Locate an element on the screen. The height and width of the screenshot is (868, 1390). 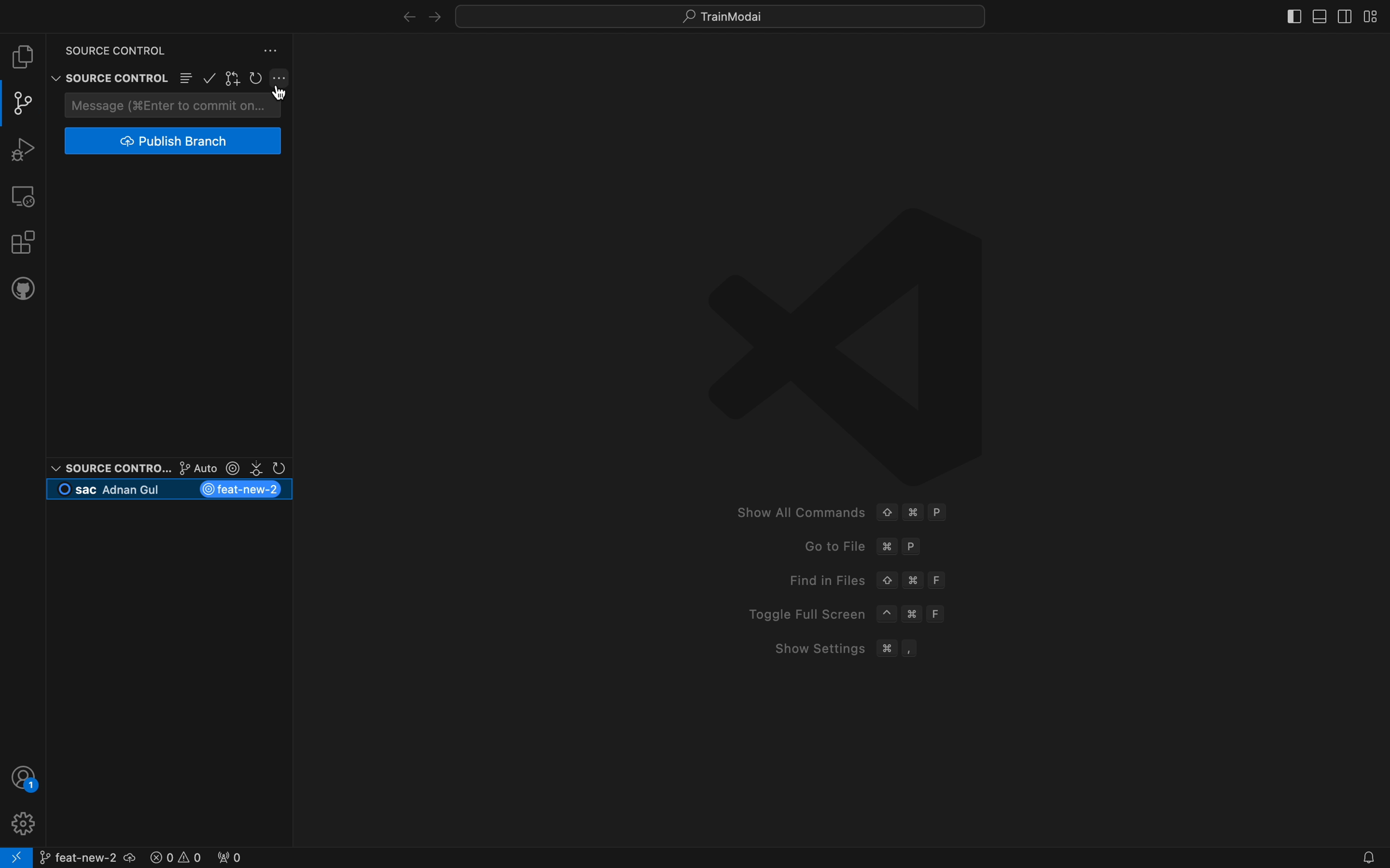
git settings is located at coordinates (281, 78).